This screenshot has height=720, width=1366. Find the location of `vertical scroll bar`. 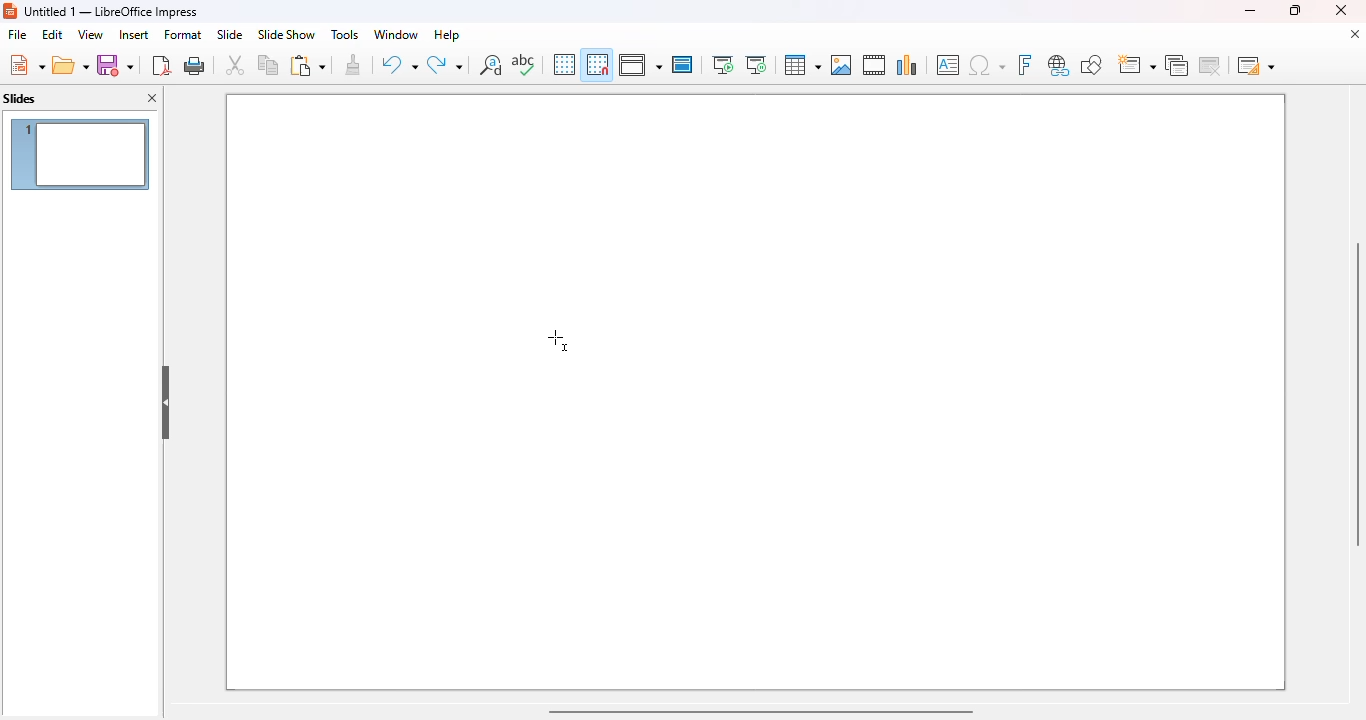

vertical scroll bar is located at coordinates (1354, 394).